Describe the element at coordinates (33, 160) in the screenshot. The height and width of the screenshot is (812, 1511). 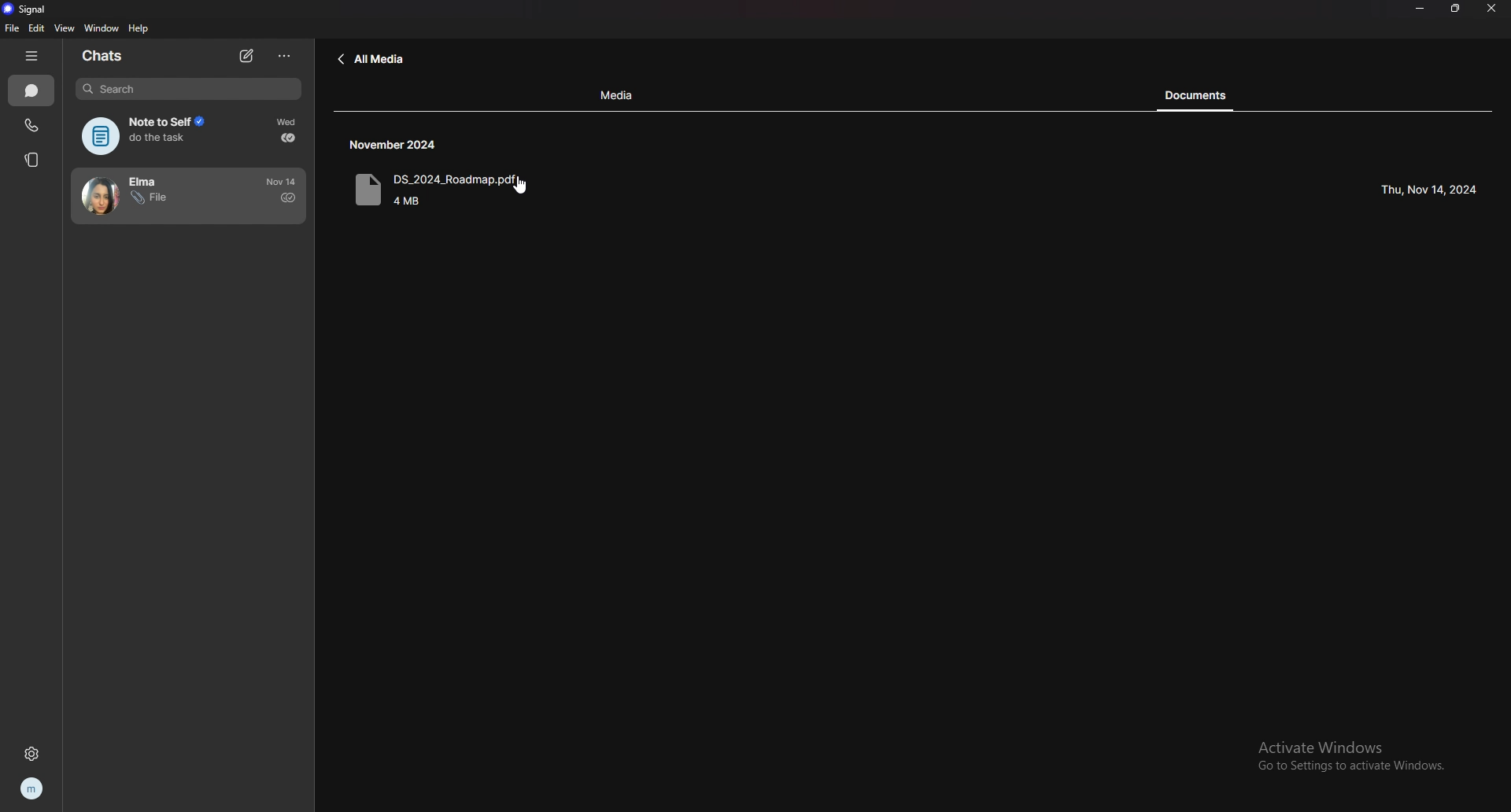
I see `stories` at that location.